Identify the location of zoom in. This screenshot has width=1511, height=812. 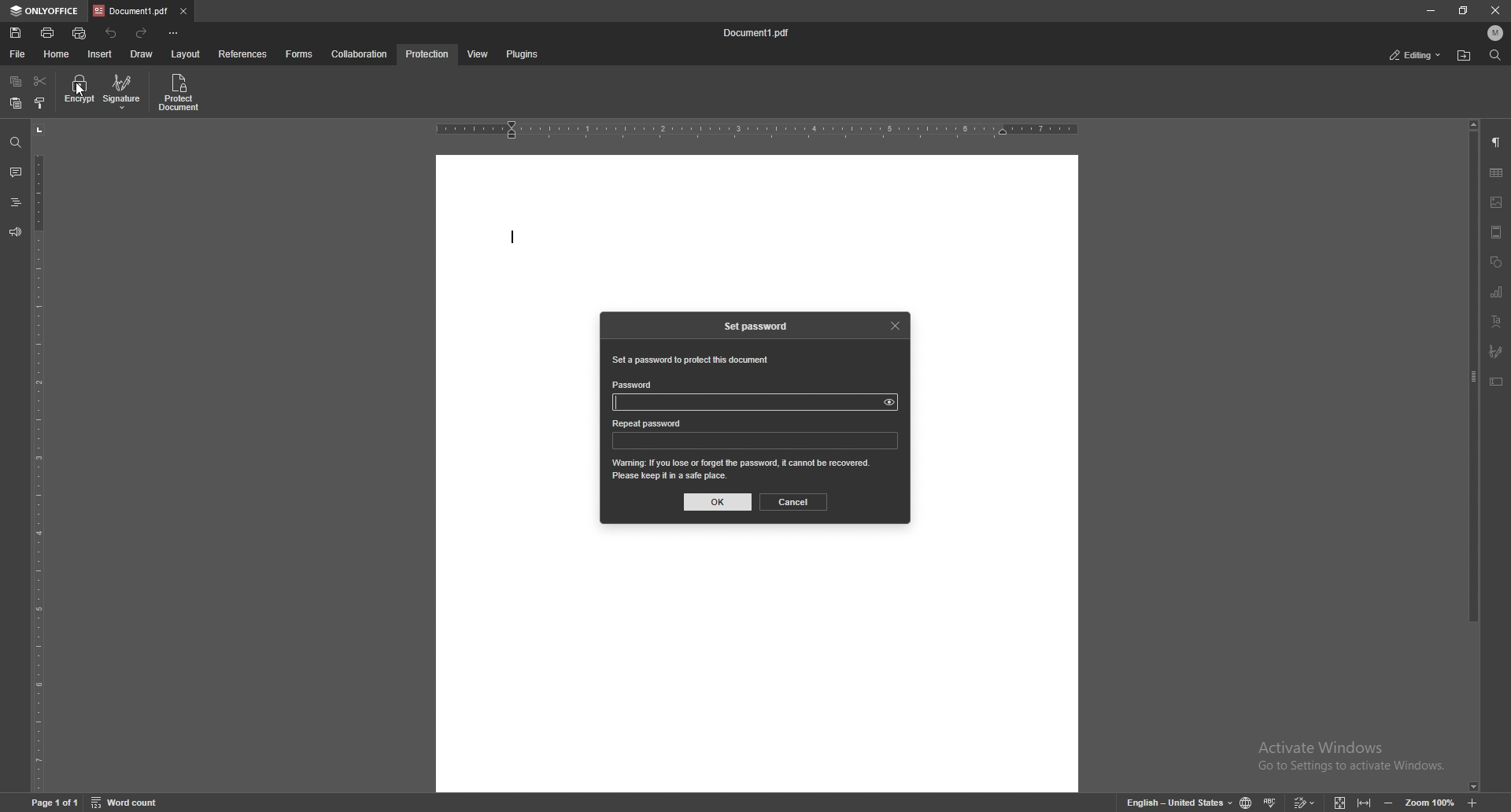
(1474, 801).